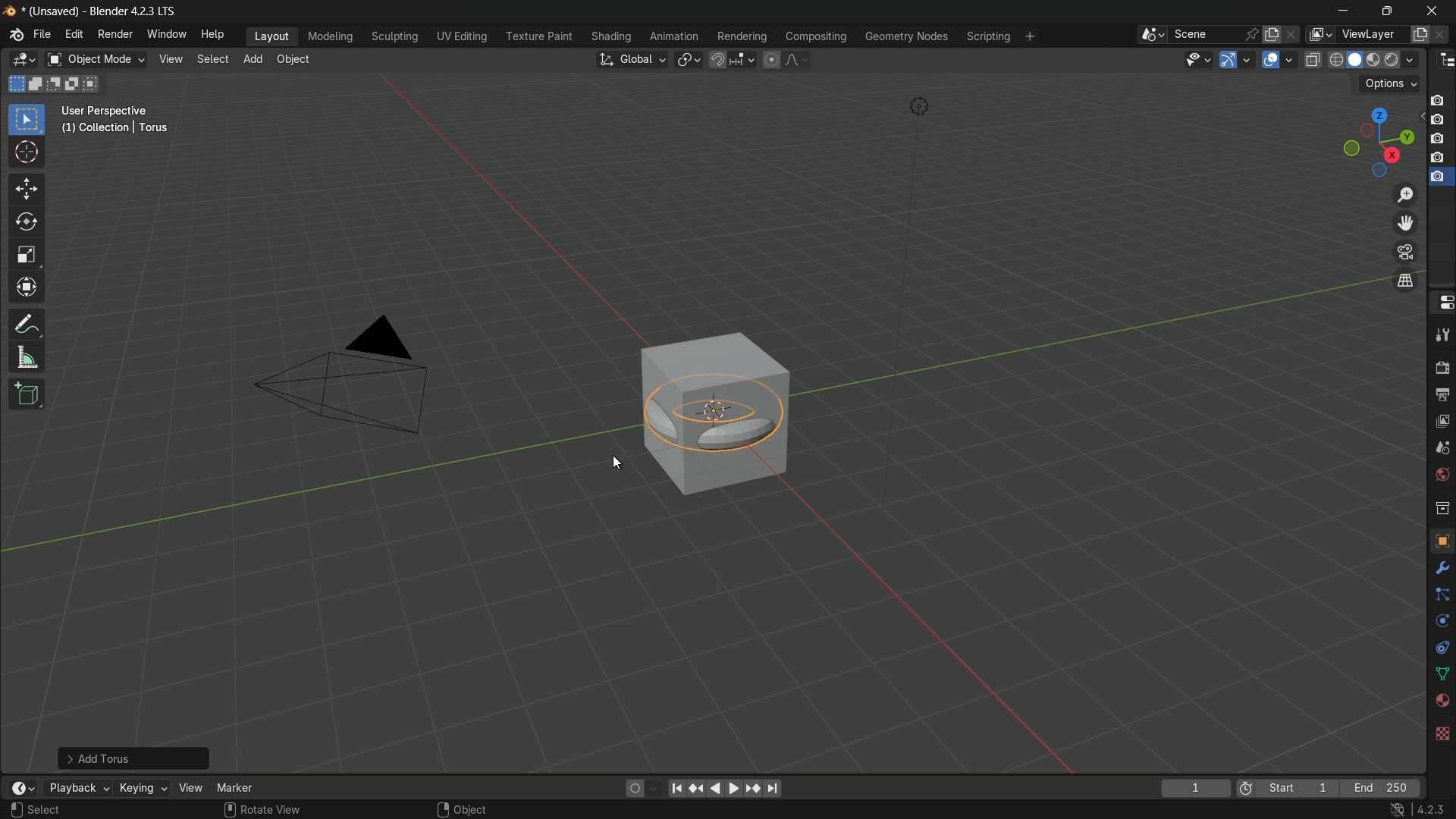  Describe the element at coordinates (26, 121) in the screenshot. I see `select` at that location.